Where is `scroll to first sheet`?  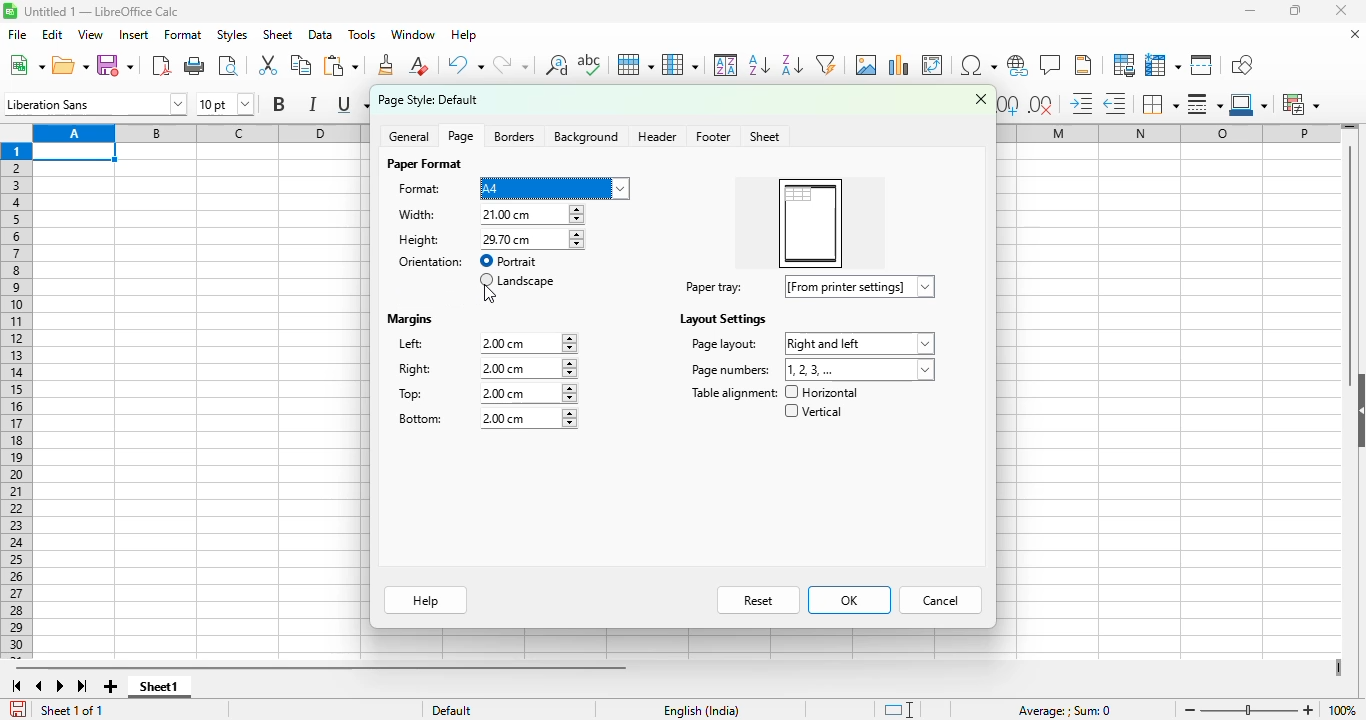
scroll to first sheet is located at coordinates (16, 687).